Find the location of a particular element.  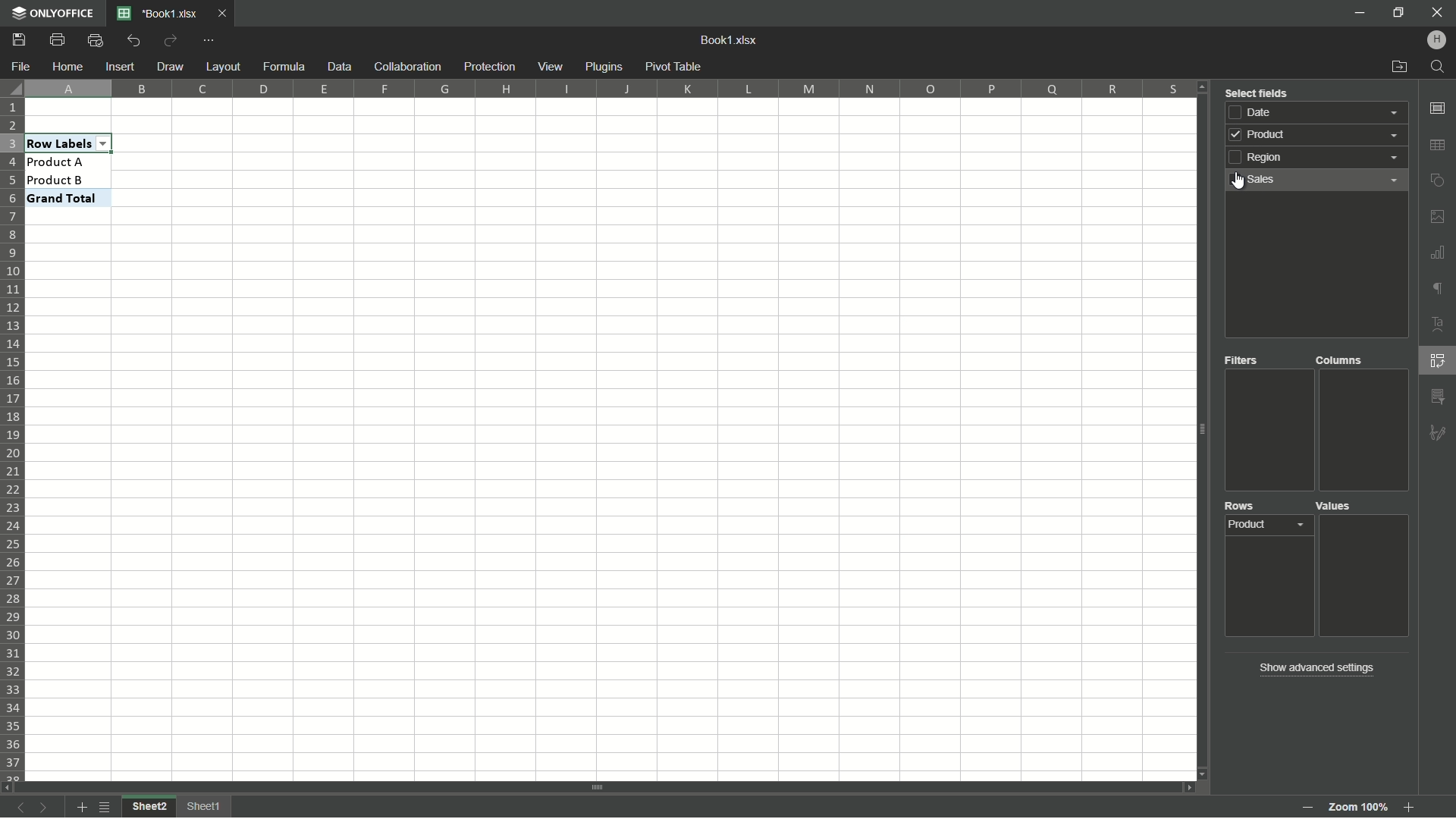

scroll bar is located at coordinates (599, 786).